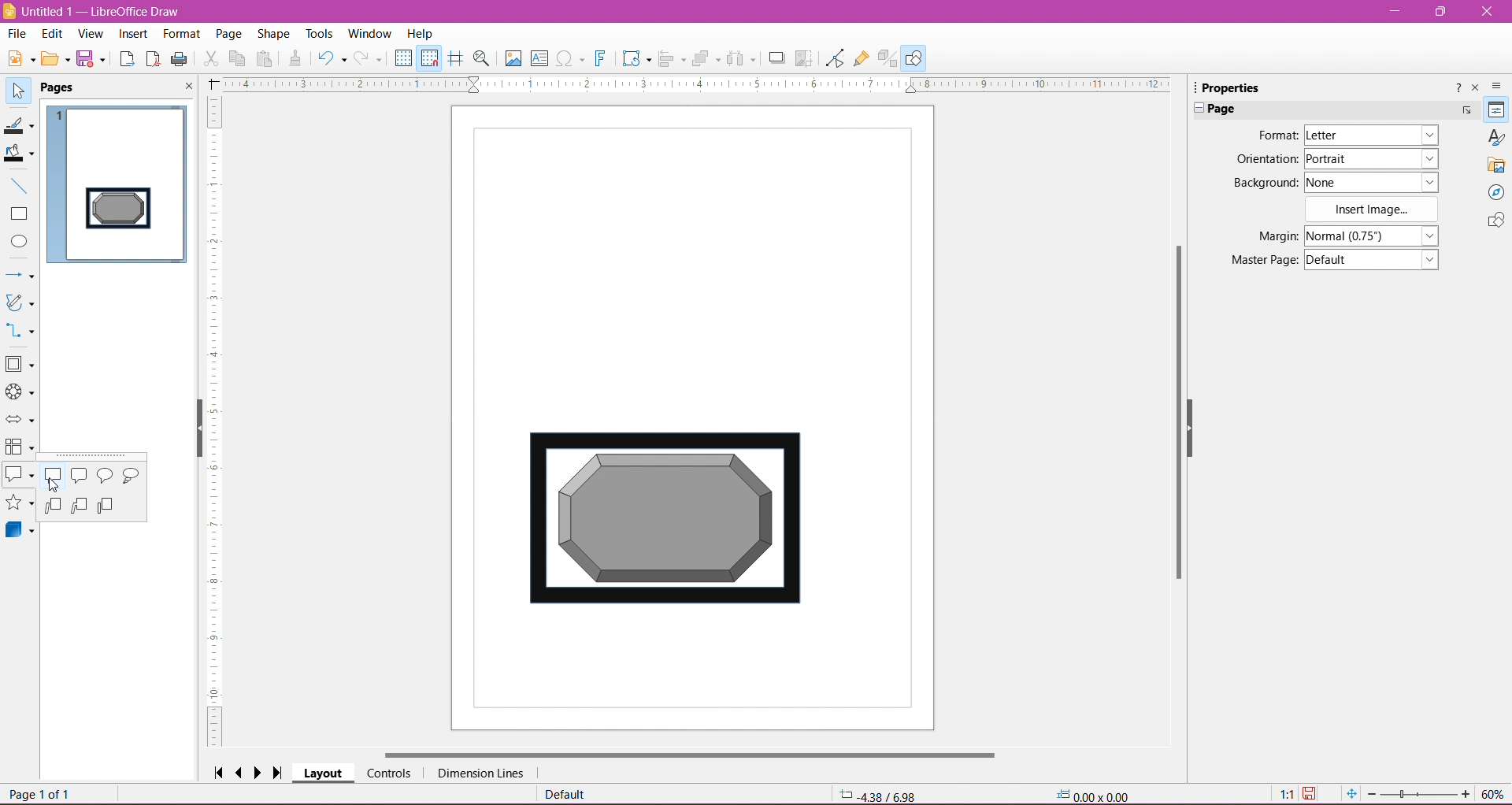 This screenshot has height=805, width=1512. Describe the element at coordinates (1499, 85) in the screenshot. I see `Sidebar settings` at that location.